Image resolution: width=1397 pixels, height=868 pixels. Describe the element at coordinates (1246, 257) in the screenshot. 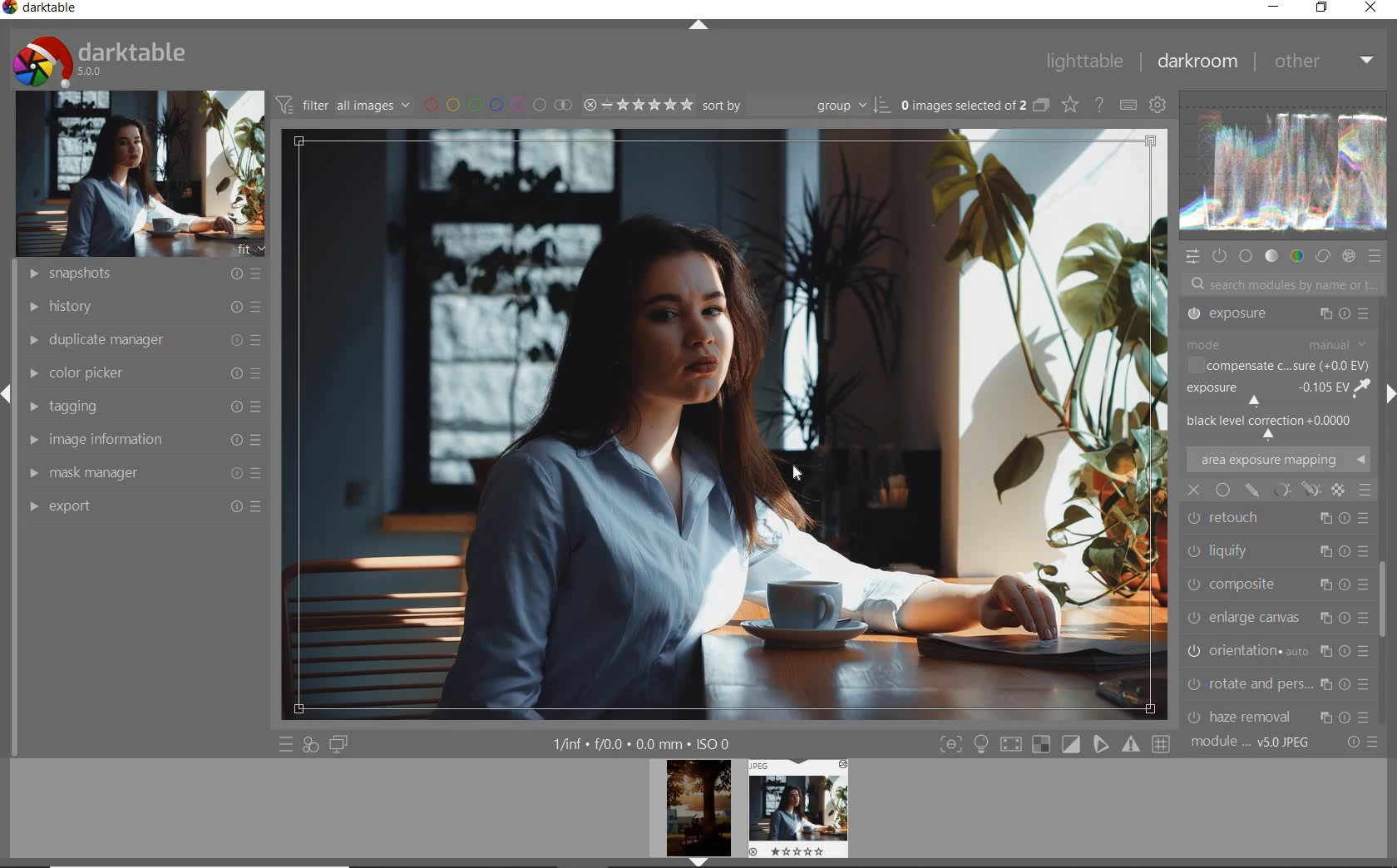

I see `BASE` at that location.